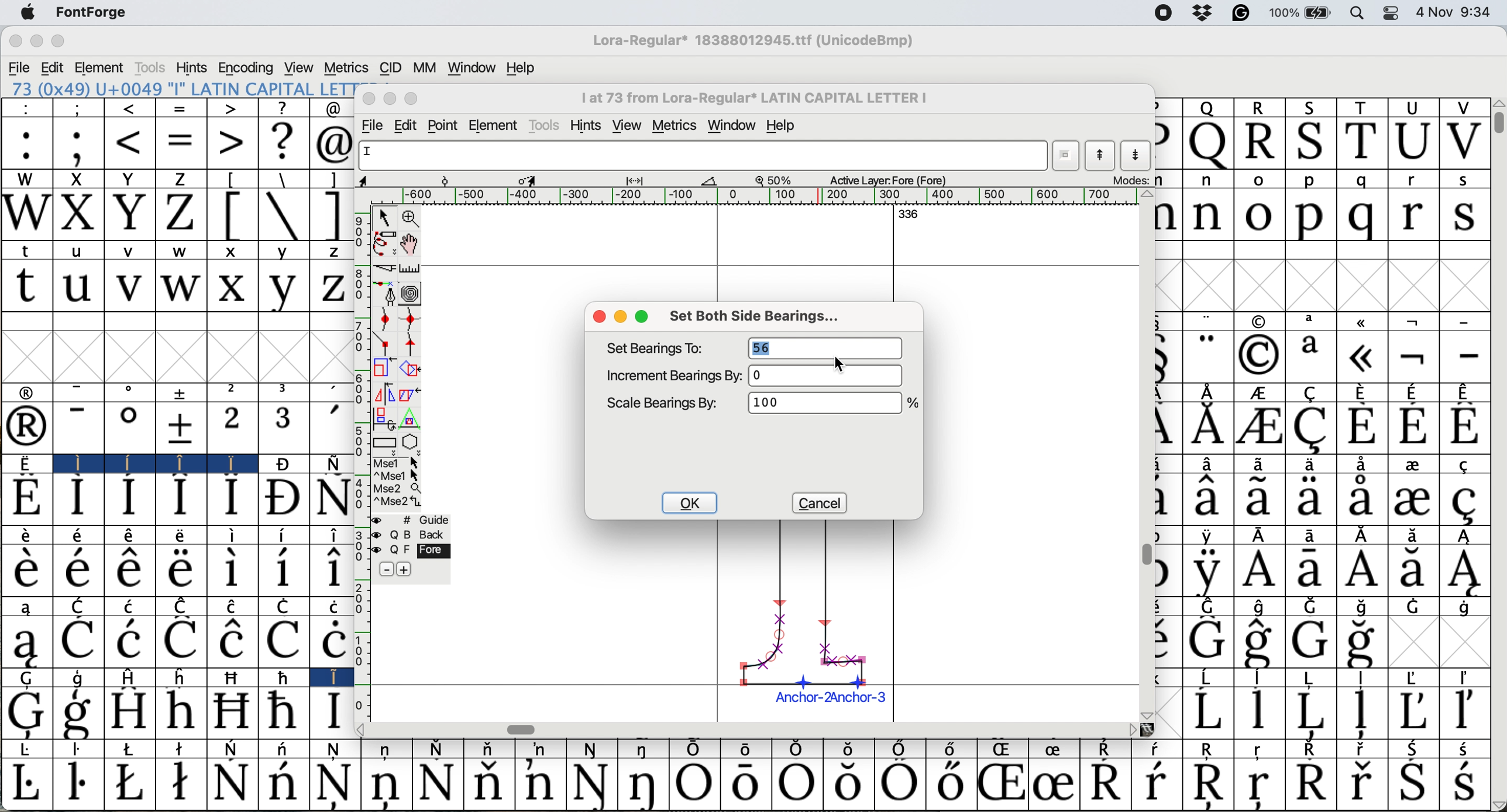  What do you see at coordinates (733, 125) in the screenshot?
I see `window` at bounding box center [733, 125].